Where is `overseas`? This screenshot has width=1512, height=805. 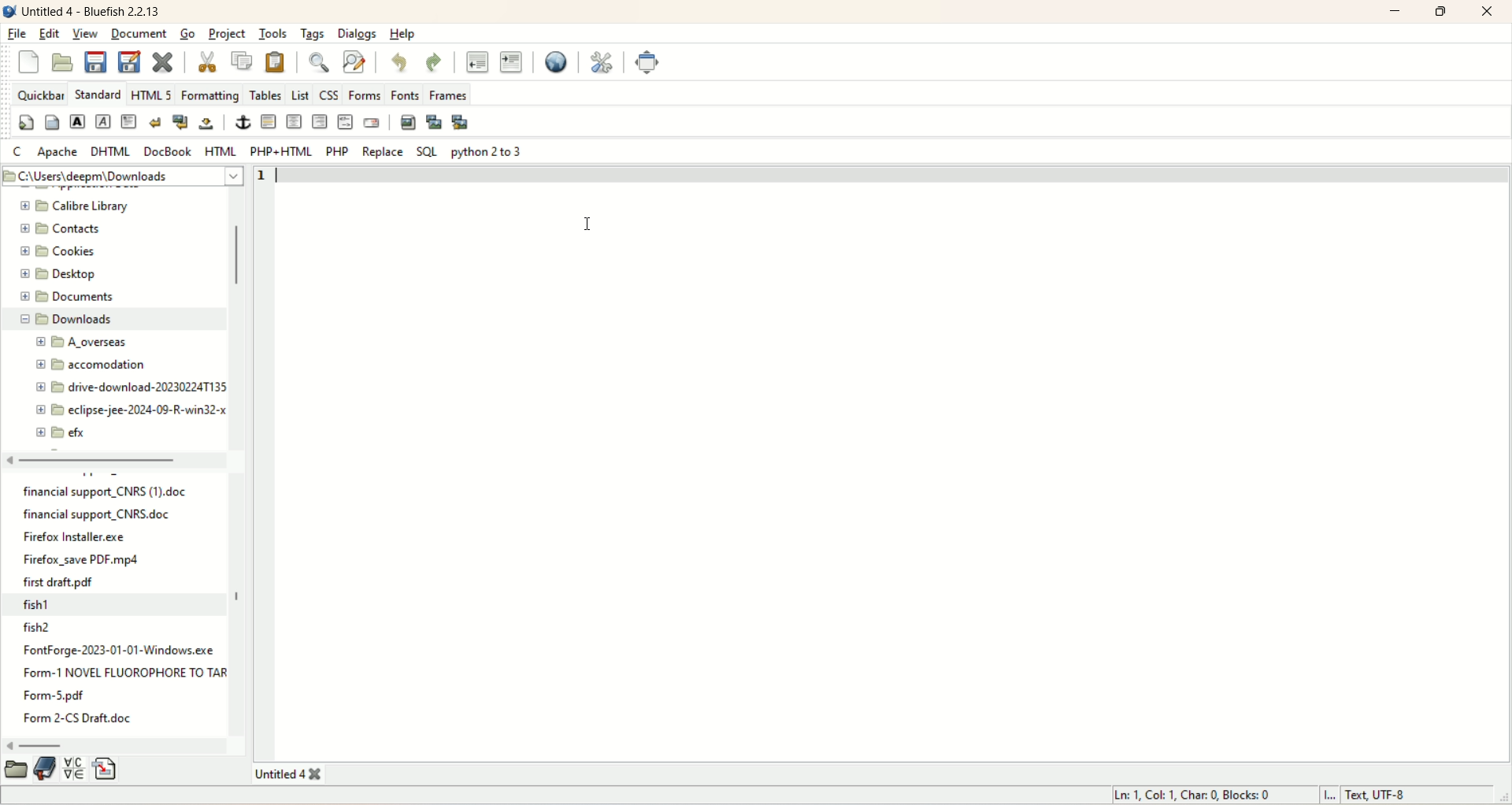 overseas is located at coordinates (86, 343).